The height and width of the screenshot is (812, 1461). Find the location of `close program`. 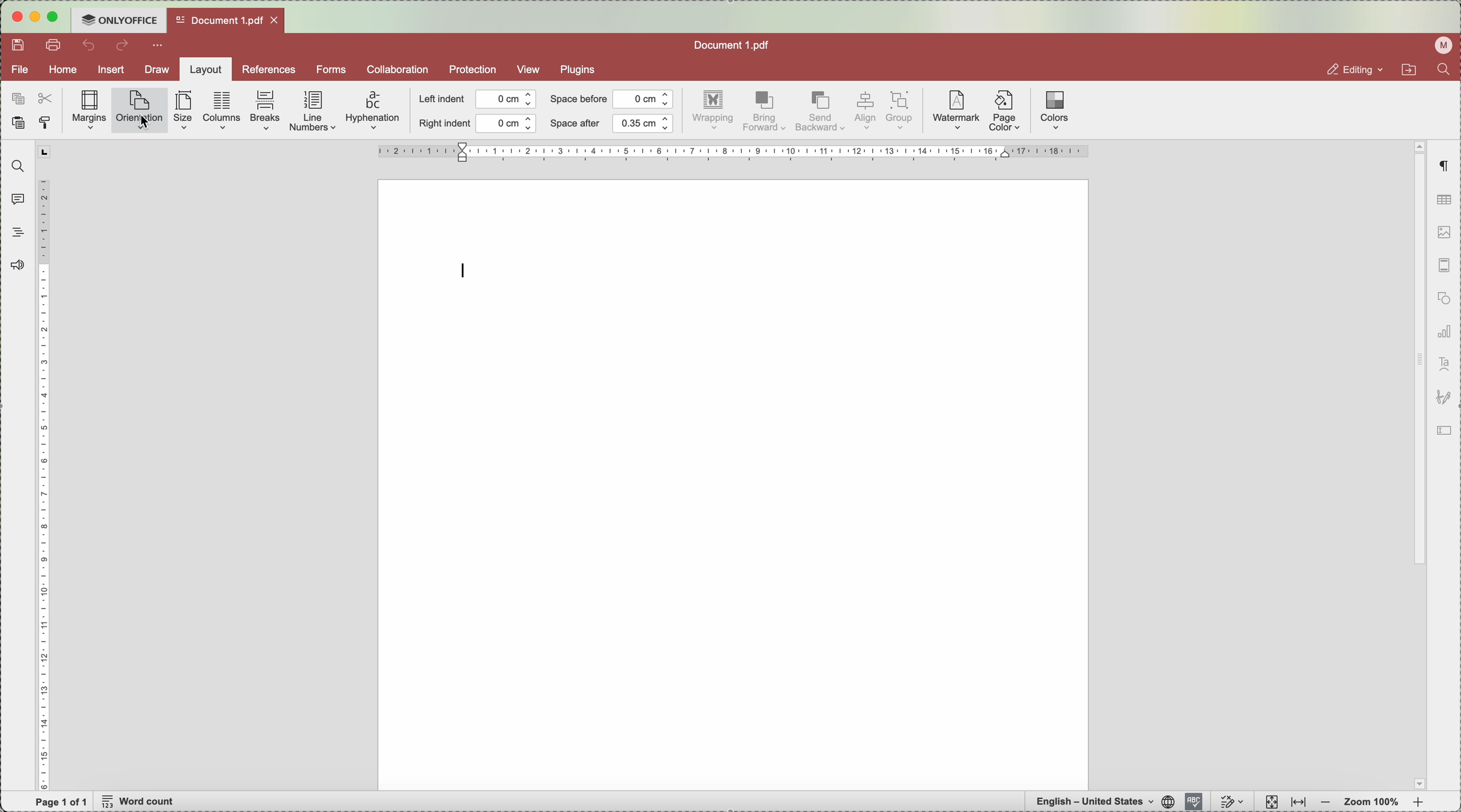

close program is located at coordinates (15, 19).